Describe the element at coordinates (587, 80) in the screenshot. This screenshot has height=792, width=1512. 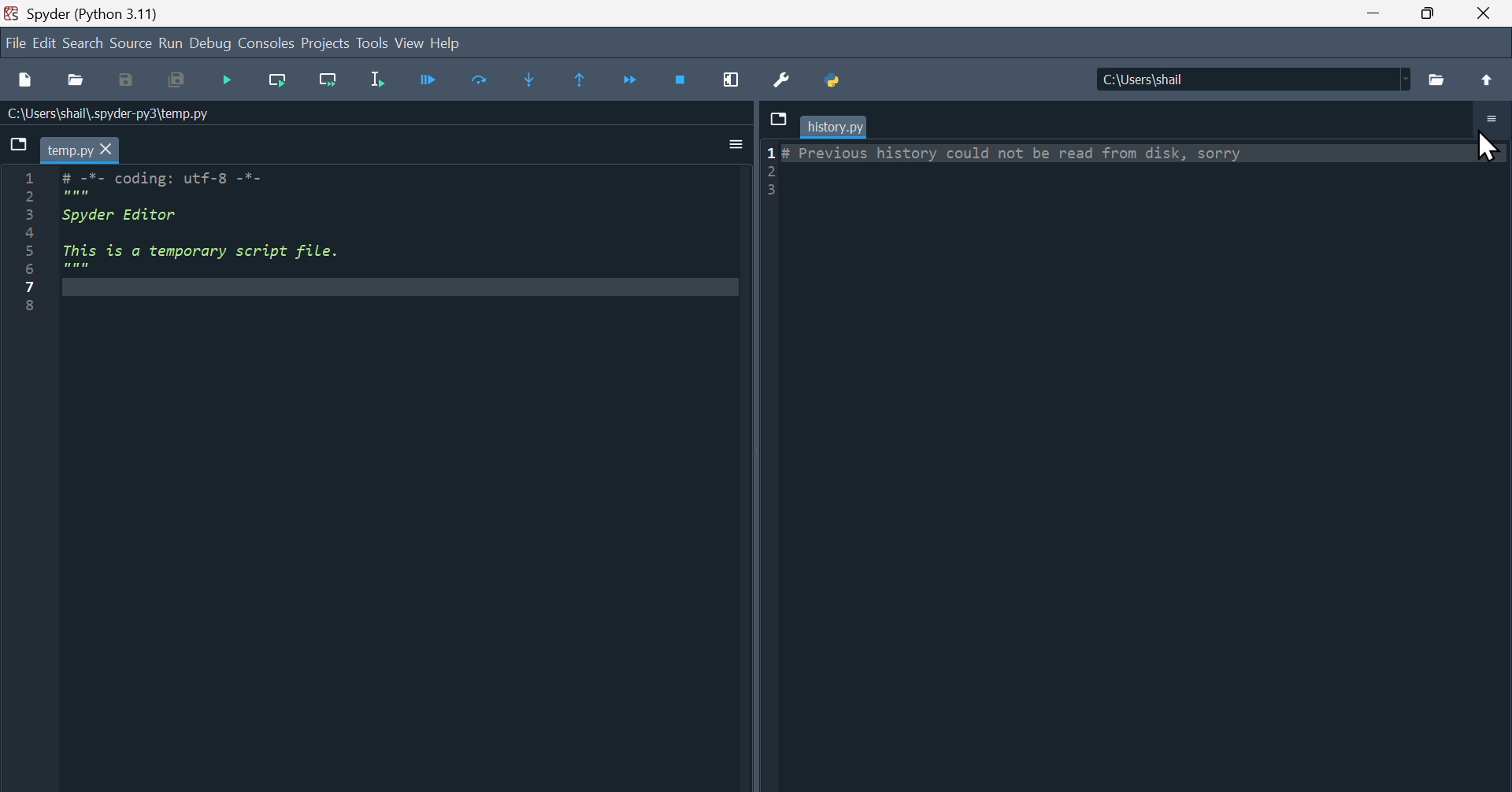
I see `execute until same function returns` at that location.